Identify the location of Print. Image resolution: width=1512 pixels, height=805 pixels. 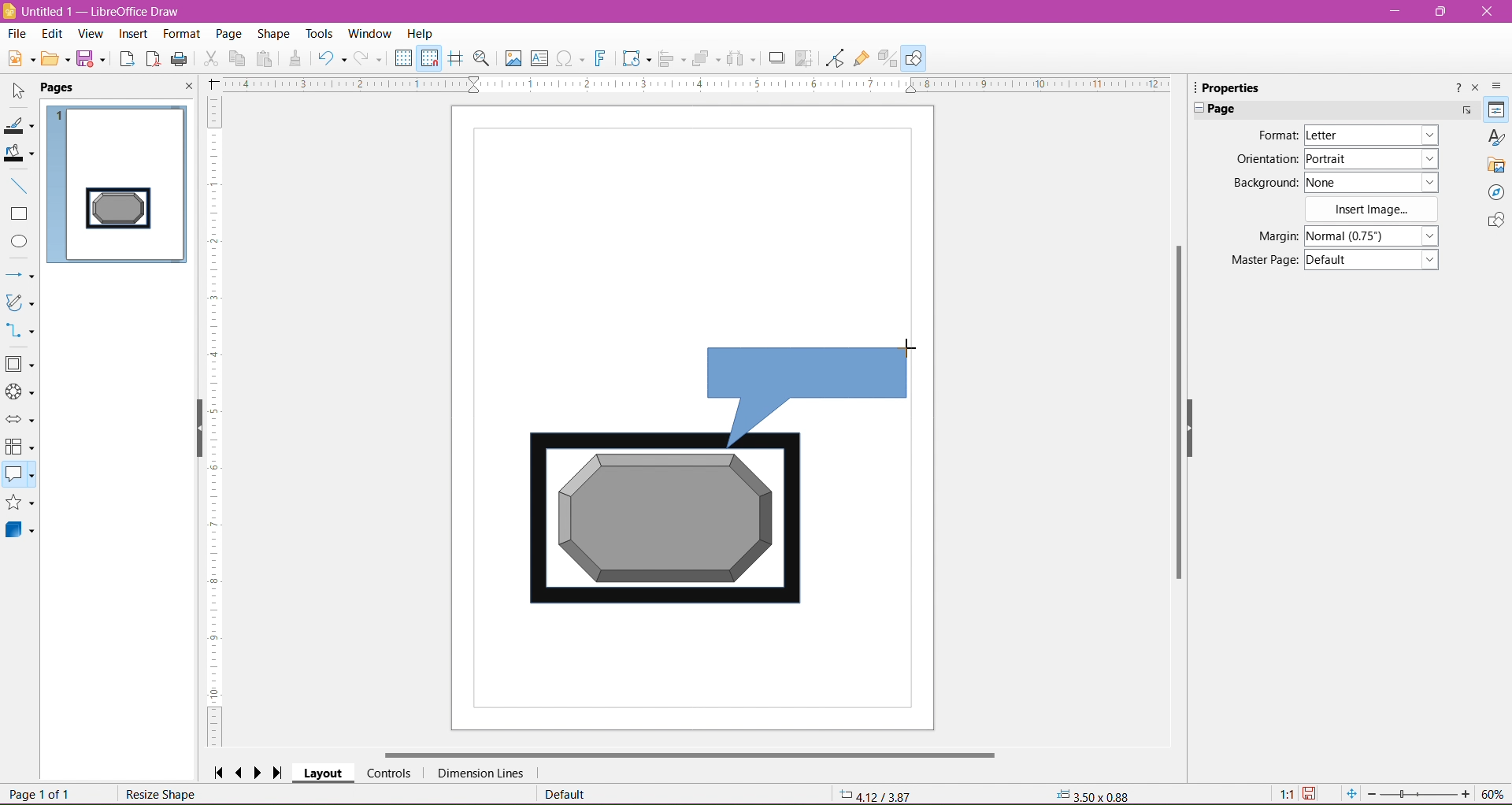
(180, 58).